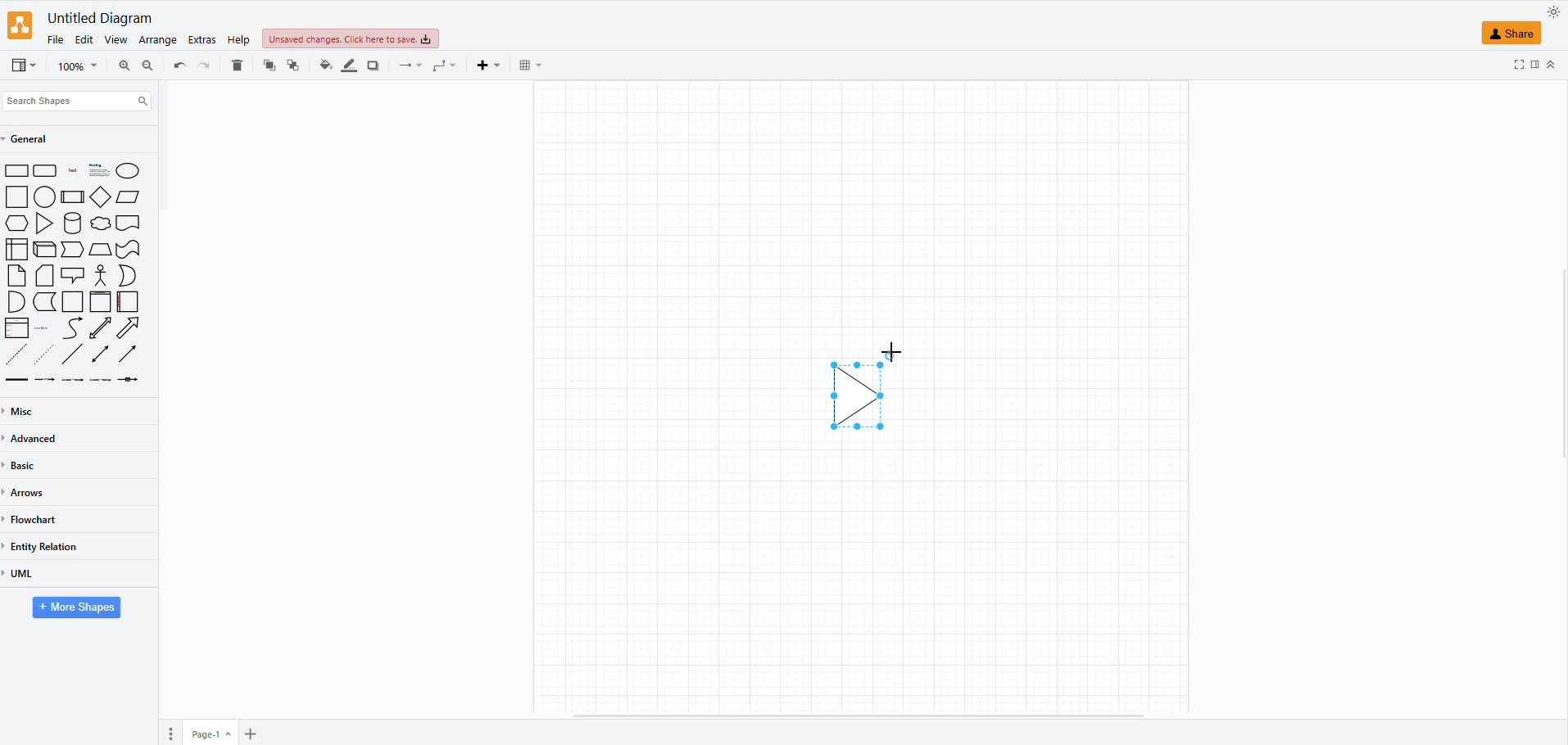  What do you see at coordinates (145, 68) in the screenshot?
I see `zoom in ` at bounding box center [145, 68].